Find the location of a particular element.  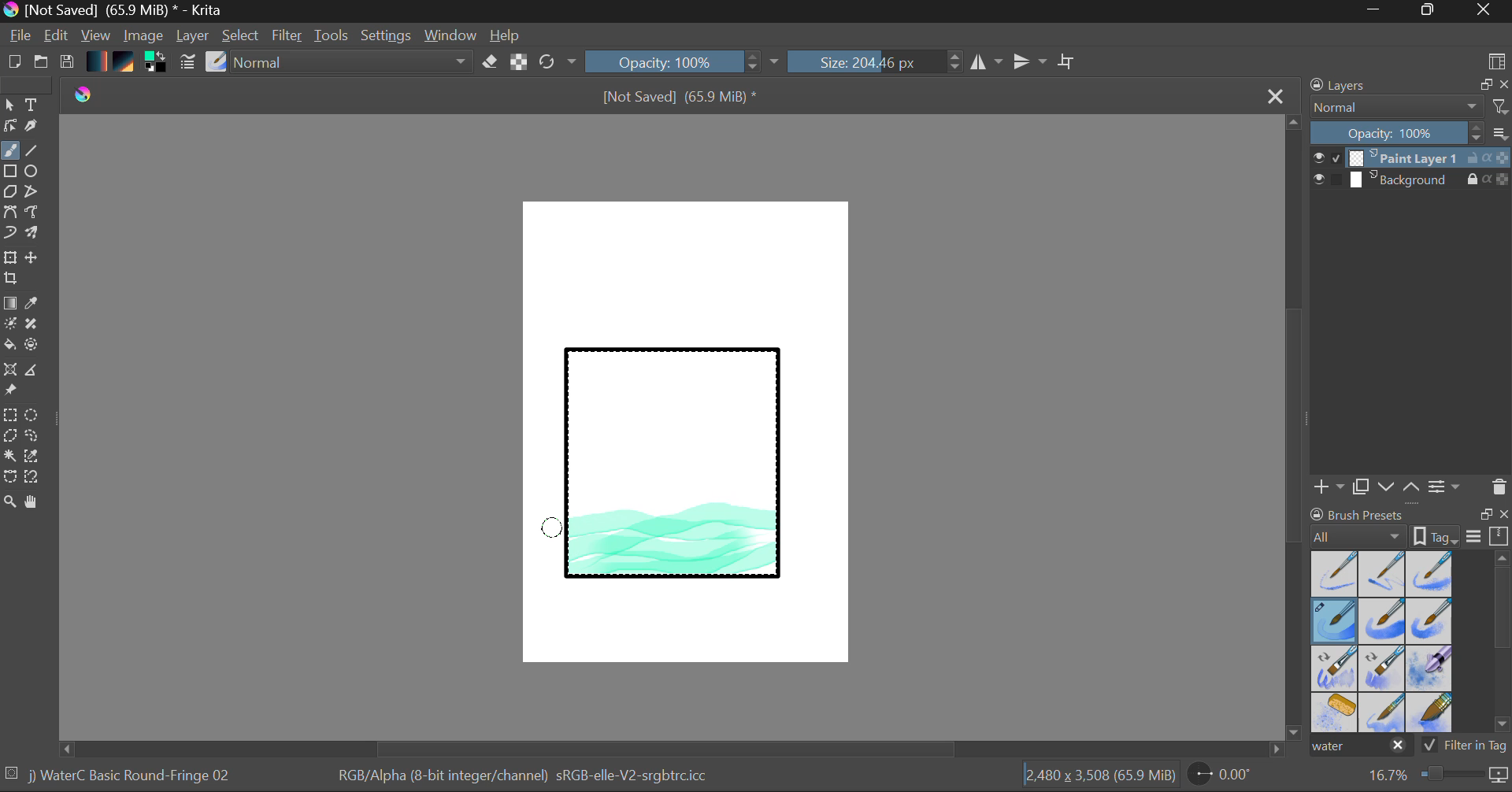

Delete Layer is located at coordinates (1499, 487).